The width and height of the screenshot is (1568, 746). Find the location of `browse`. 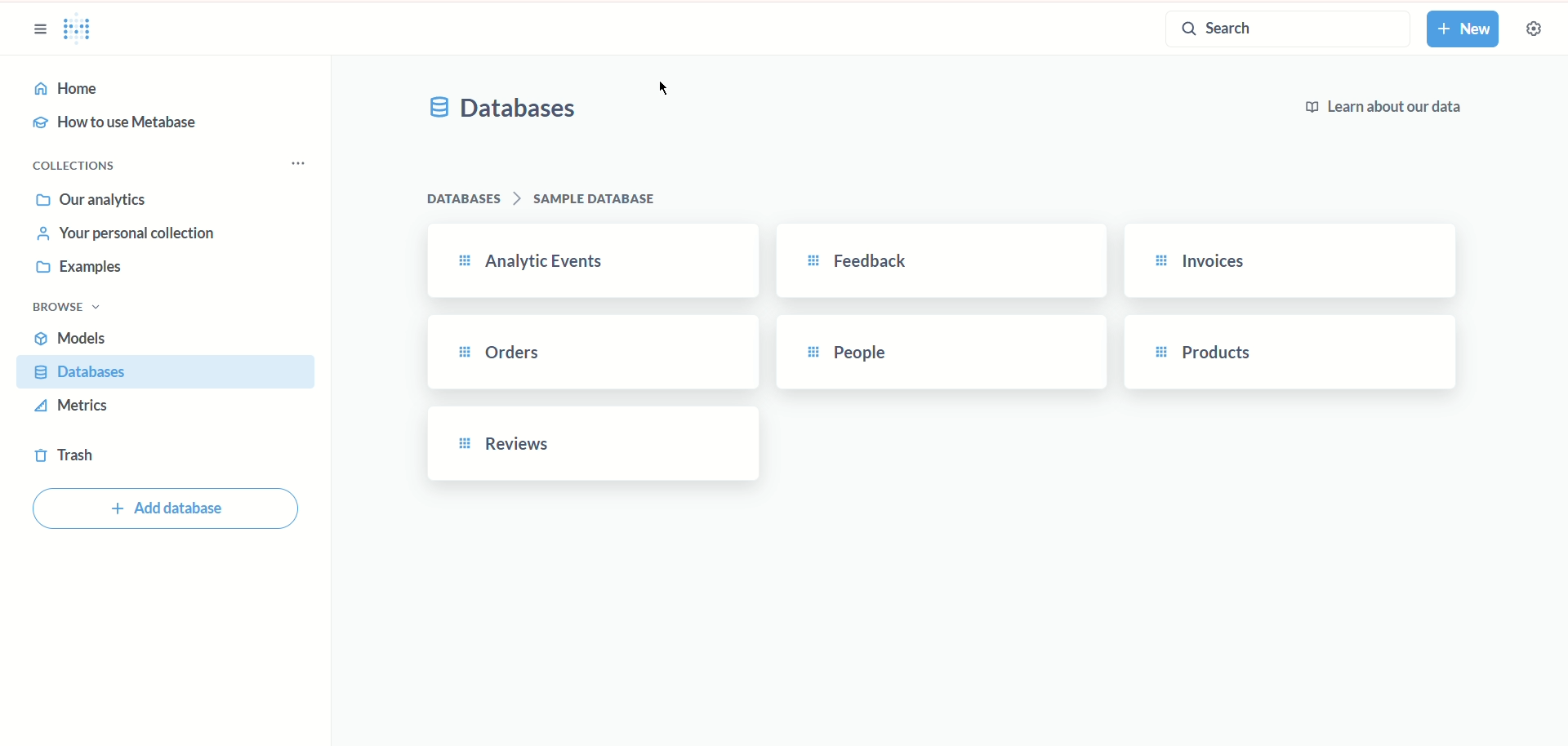

browse is located at coordinates (65, 308).